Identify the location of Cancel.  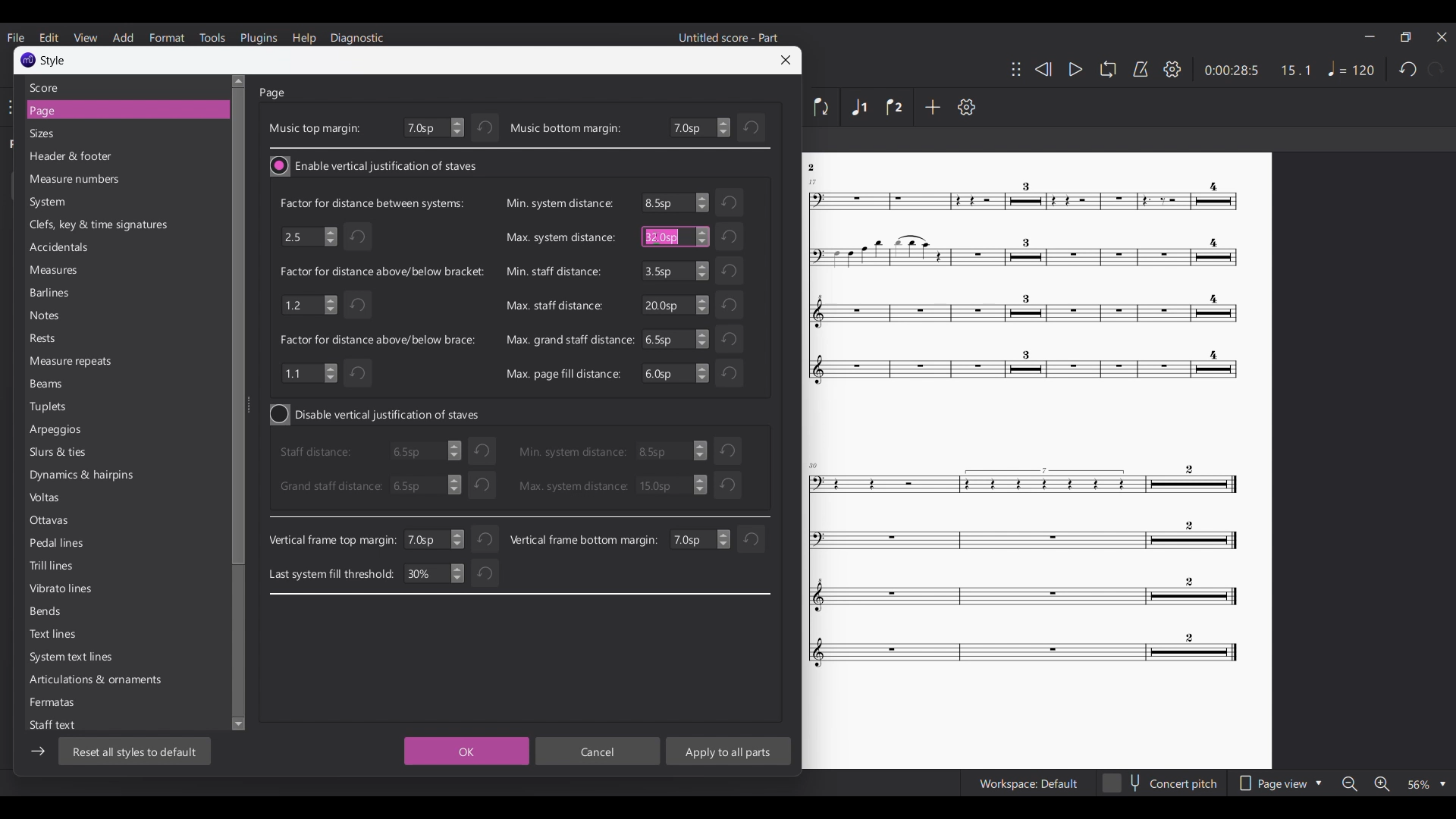
(598, 752).